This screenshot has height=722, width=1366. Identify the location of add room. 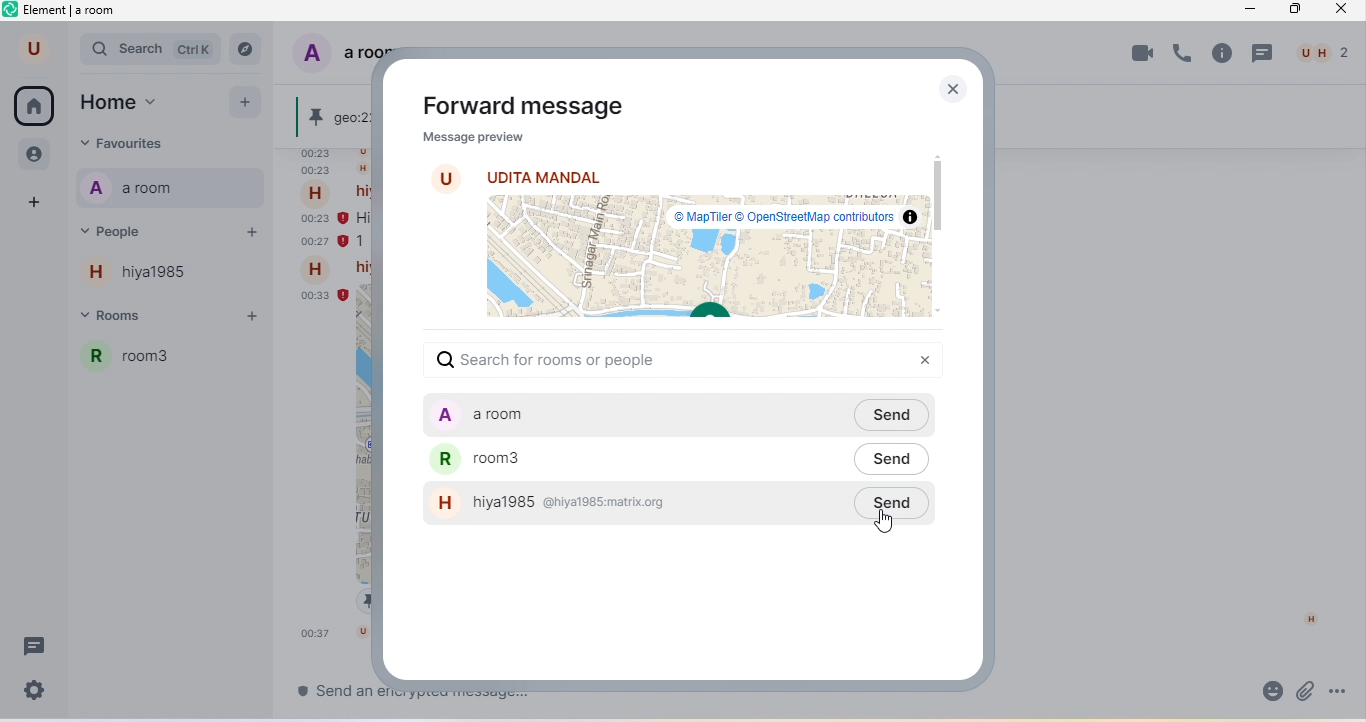
(257, 317).